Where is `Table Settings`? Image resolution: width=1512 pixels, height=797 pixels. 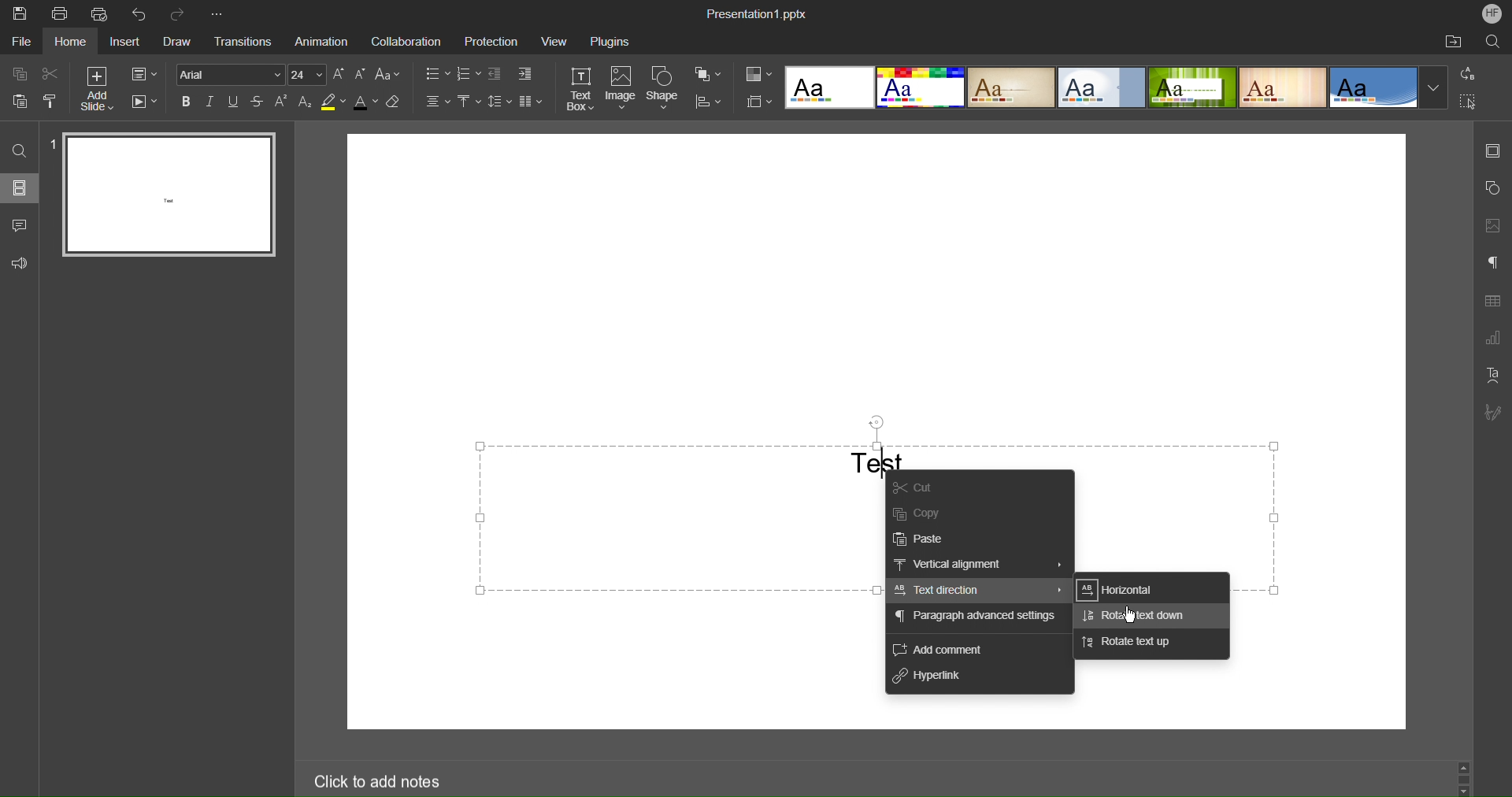 Table Settings is located at coordinates (1492, 302).